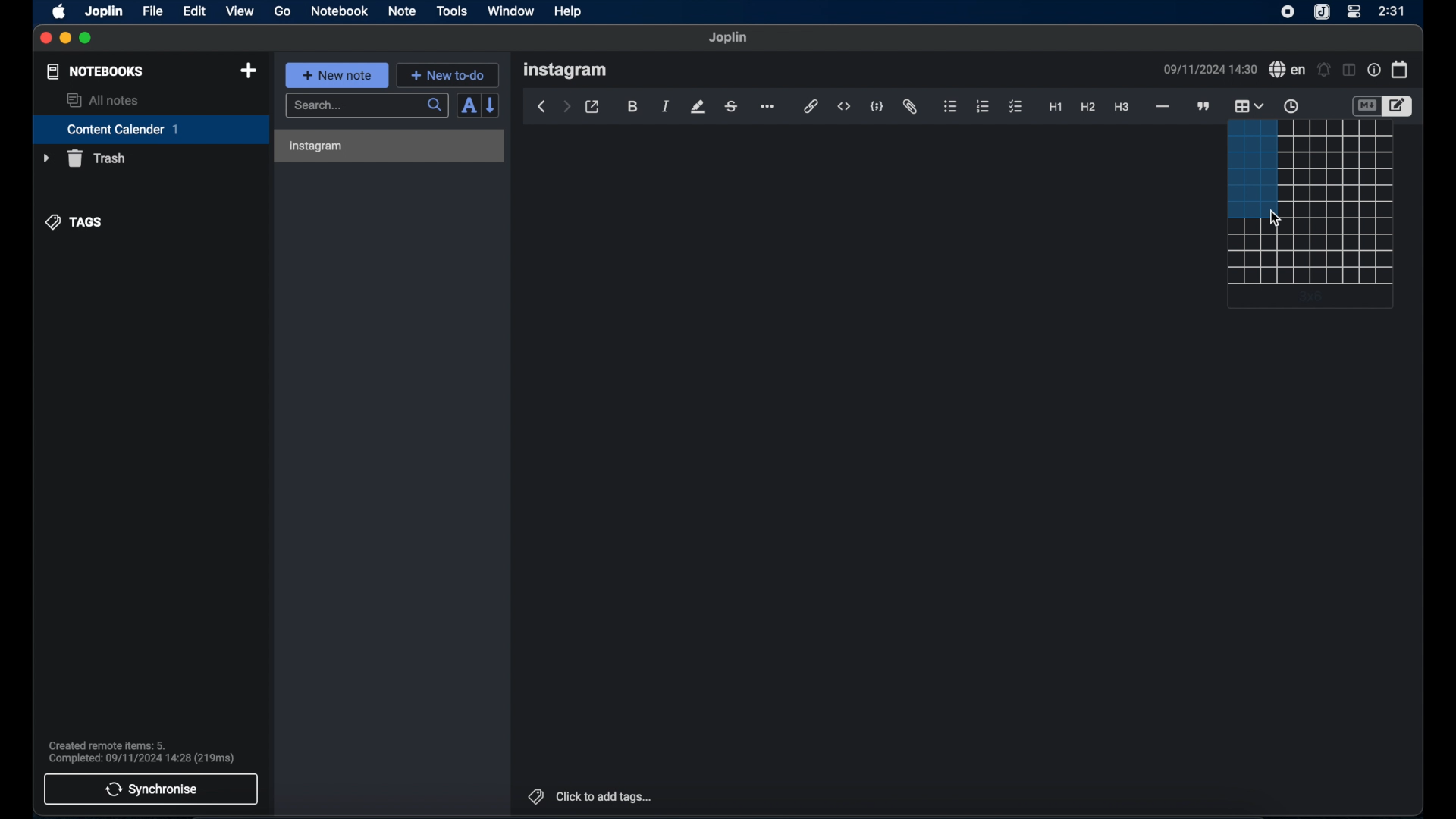  I want to click on set alarm, so click(1324, 69).